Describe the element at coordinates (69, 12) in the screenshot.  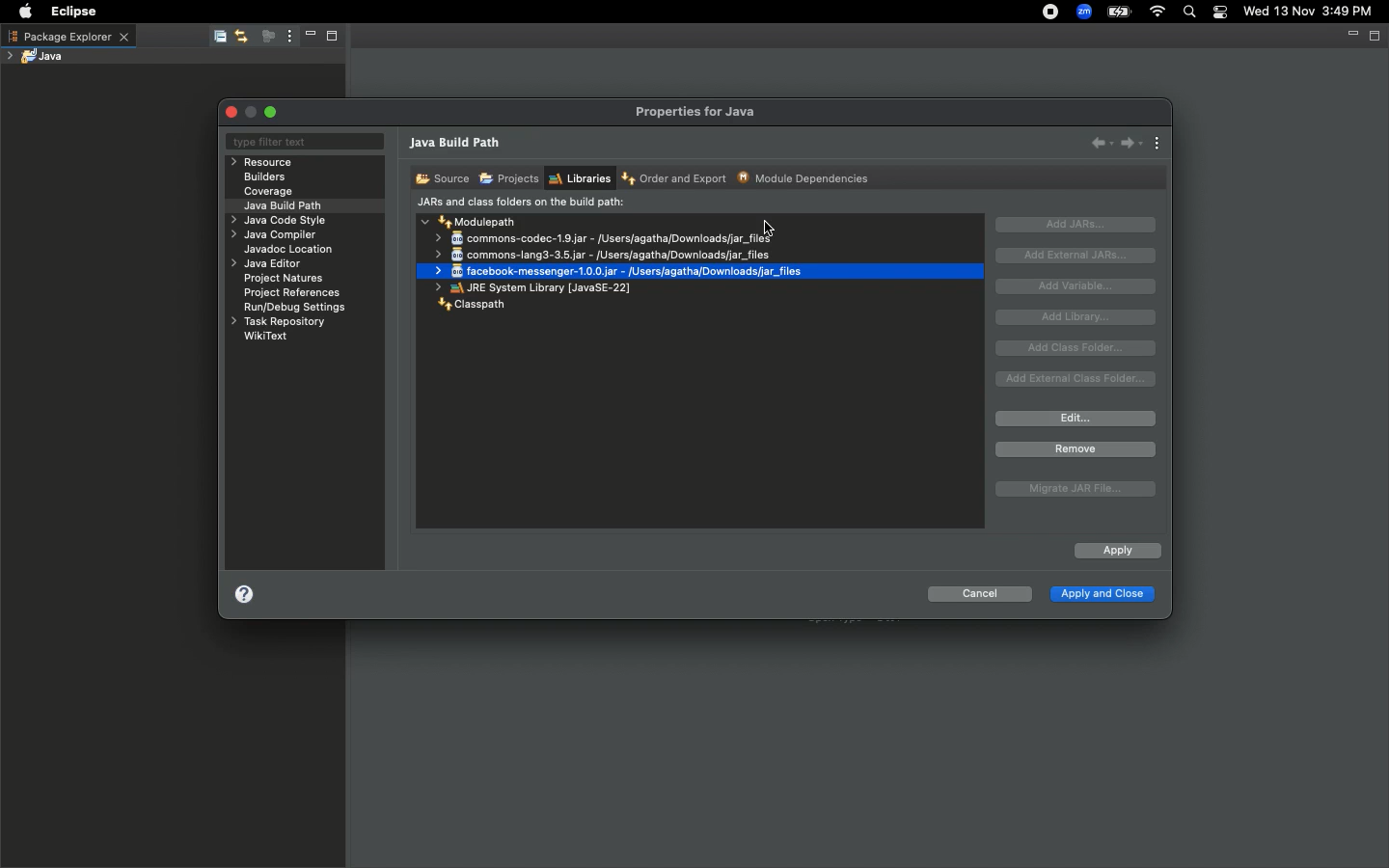
I see `Eclipse` at that location.